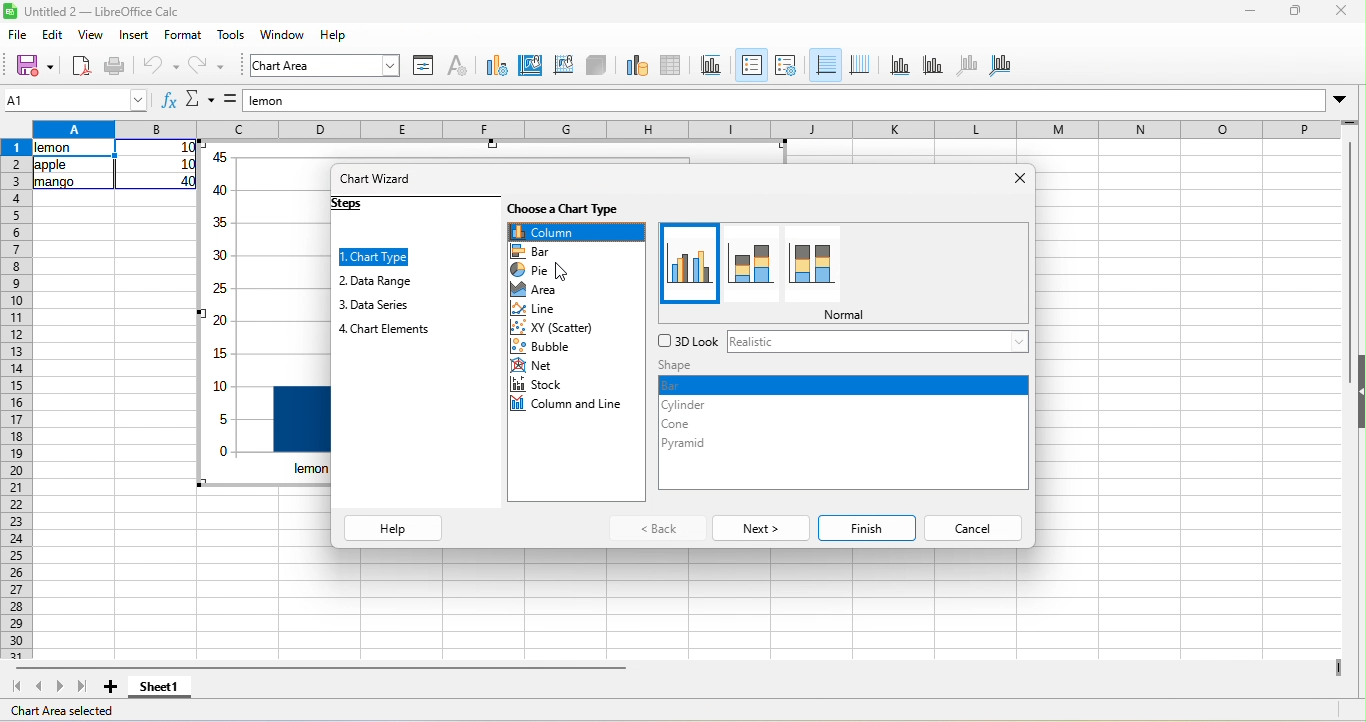 Image resolution: width=1366 pixels, height=722 pixels. Describe the element at coordinates (188, 148) in the screenshot. I see `10` at that location.